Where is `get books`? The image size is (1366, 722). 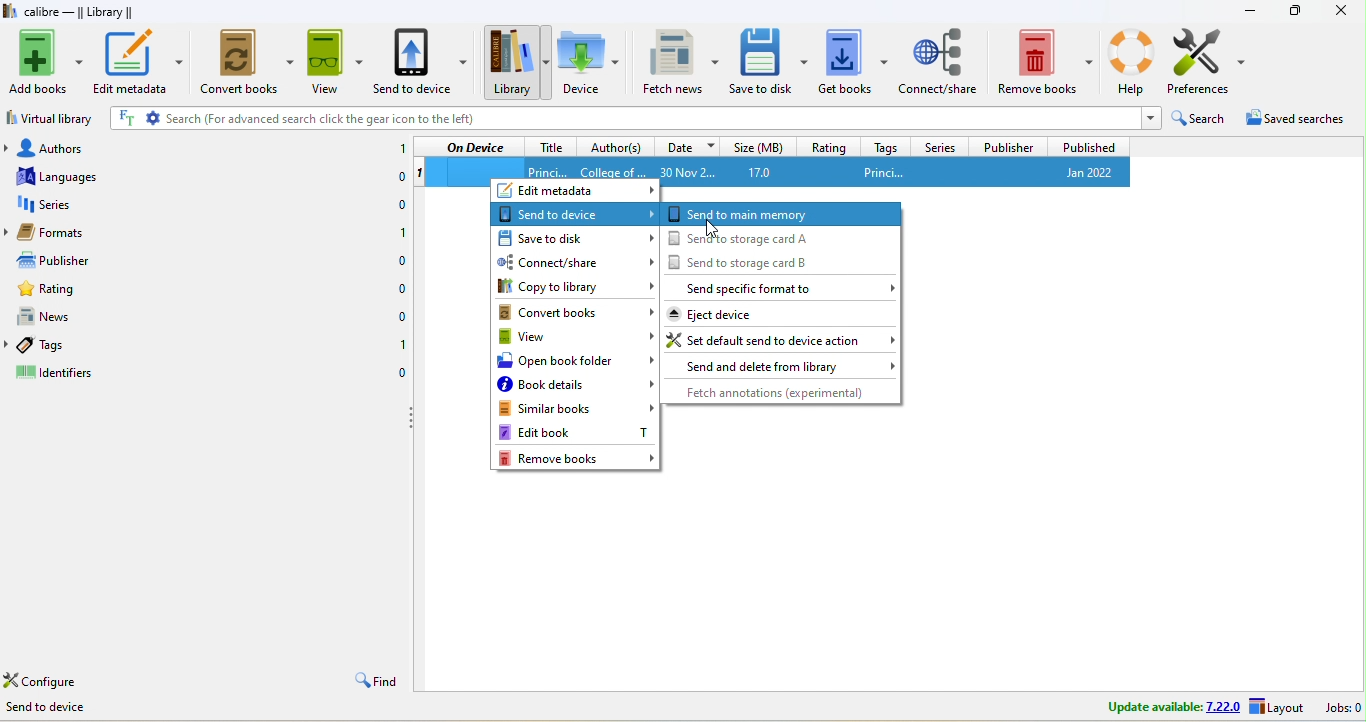
get books is located at coordinates (853, 60).